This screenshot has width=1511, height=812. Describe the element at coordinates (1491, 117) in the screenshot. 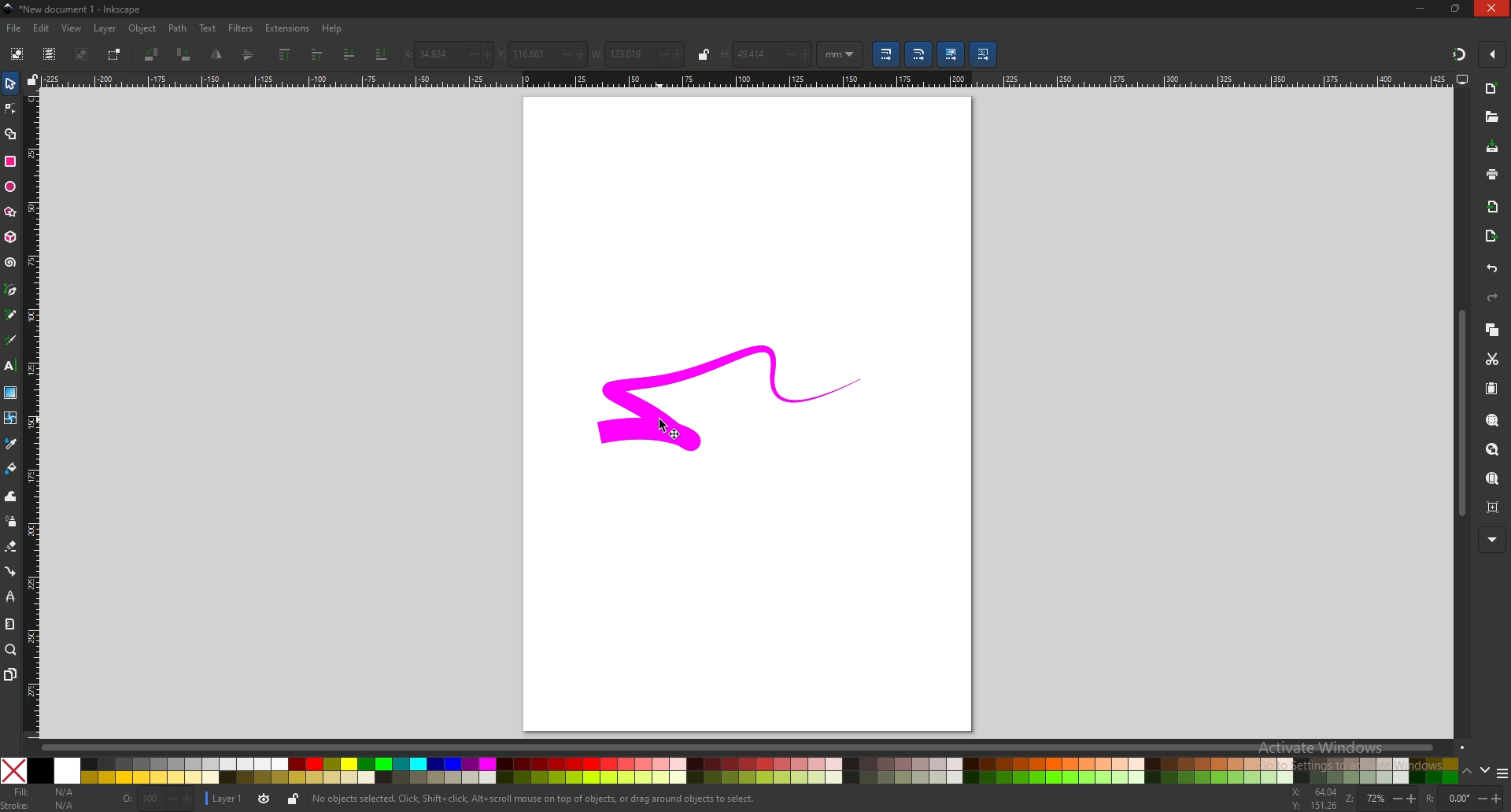

I see `open` at that location.